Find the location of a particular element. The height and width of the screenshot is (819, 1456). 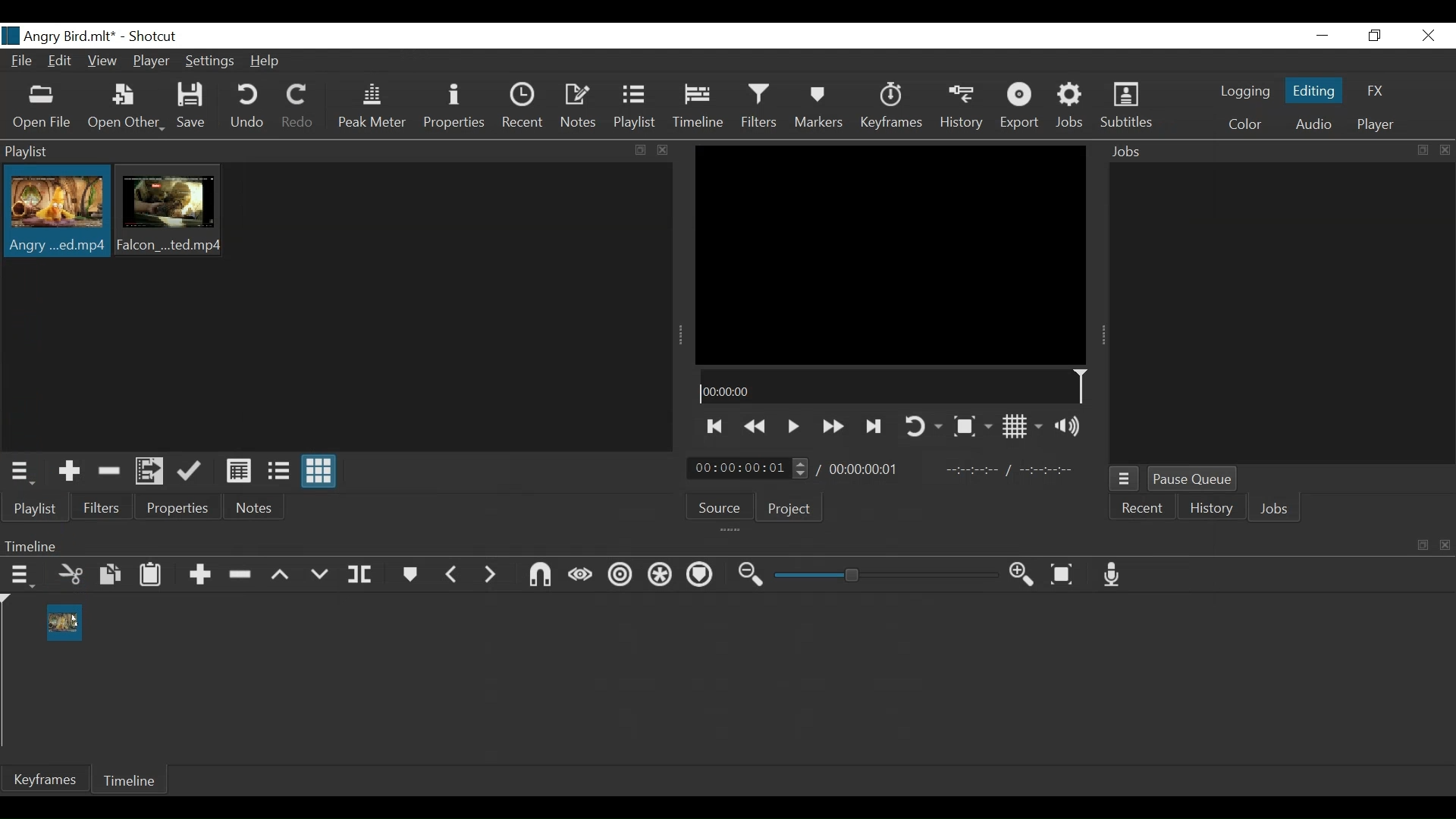

Player is located at coordinates (152, 61).